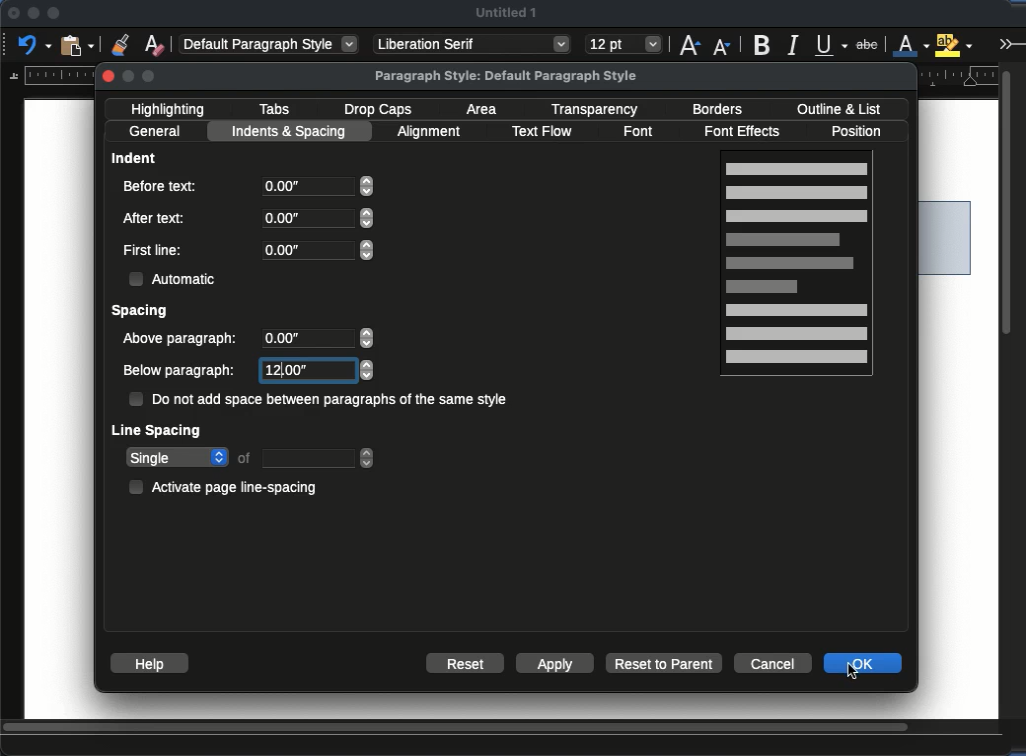  Describe the element at coordinates (954, 43) in the screenshot. I see `highlight color` at that location.